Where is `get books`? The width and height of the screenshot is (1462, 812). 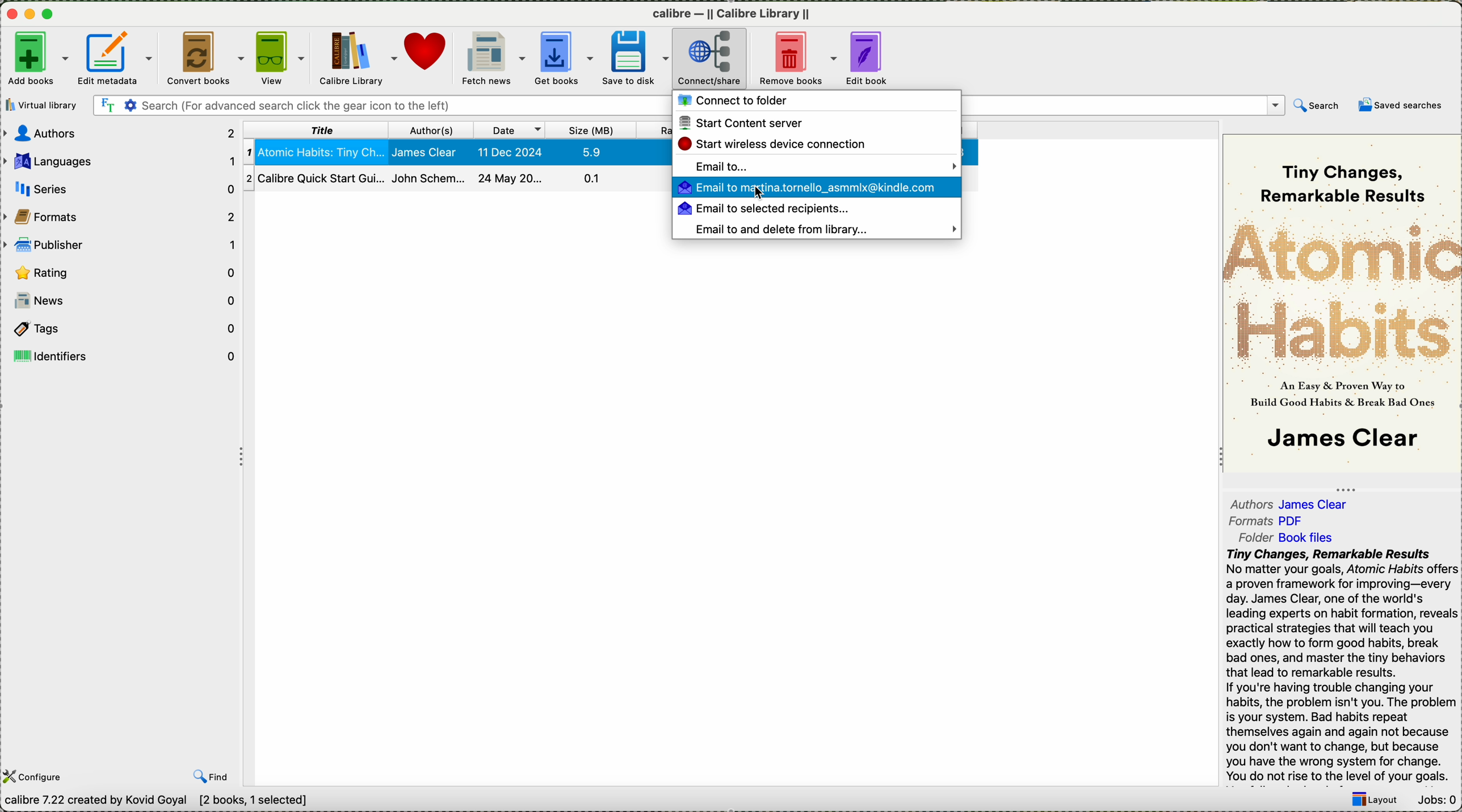
get books is located at coordinates (566, 59).